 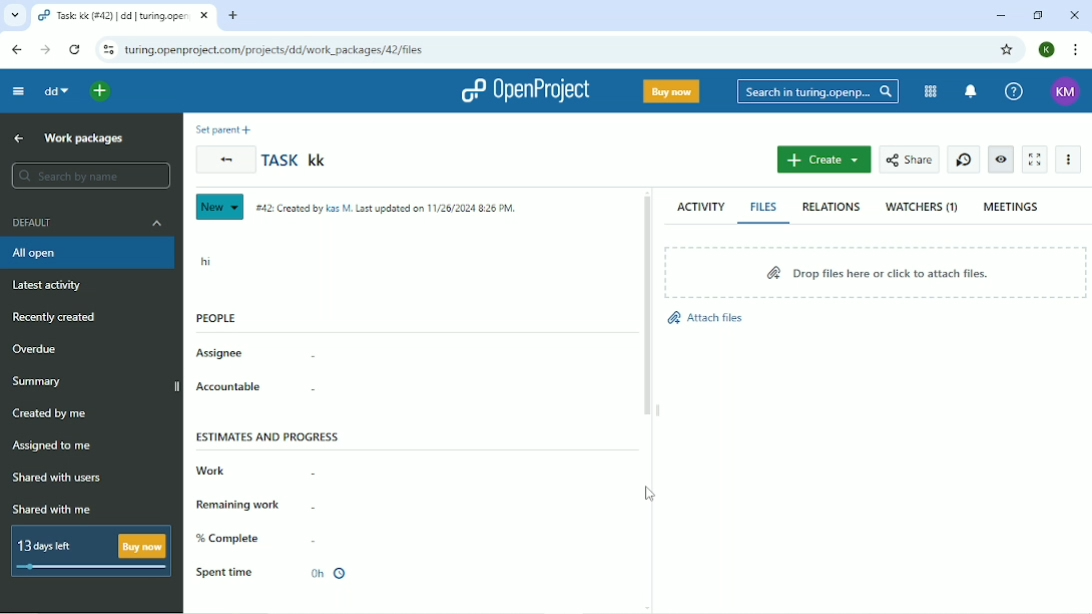 I want to click on turing.openproject.com/projects/dd/work_packages/42/files, so click(x=277, y=50).